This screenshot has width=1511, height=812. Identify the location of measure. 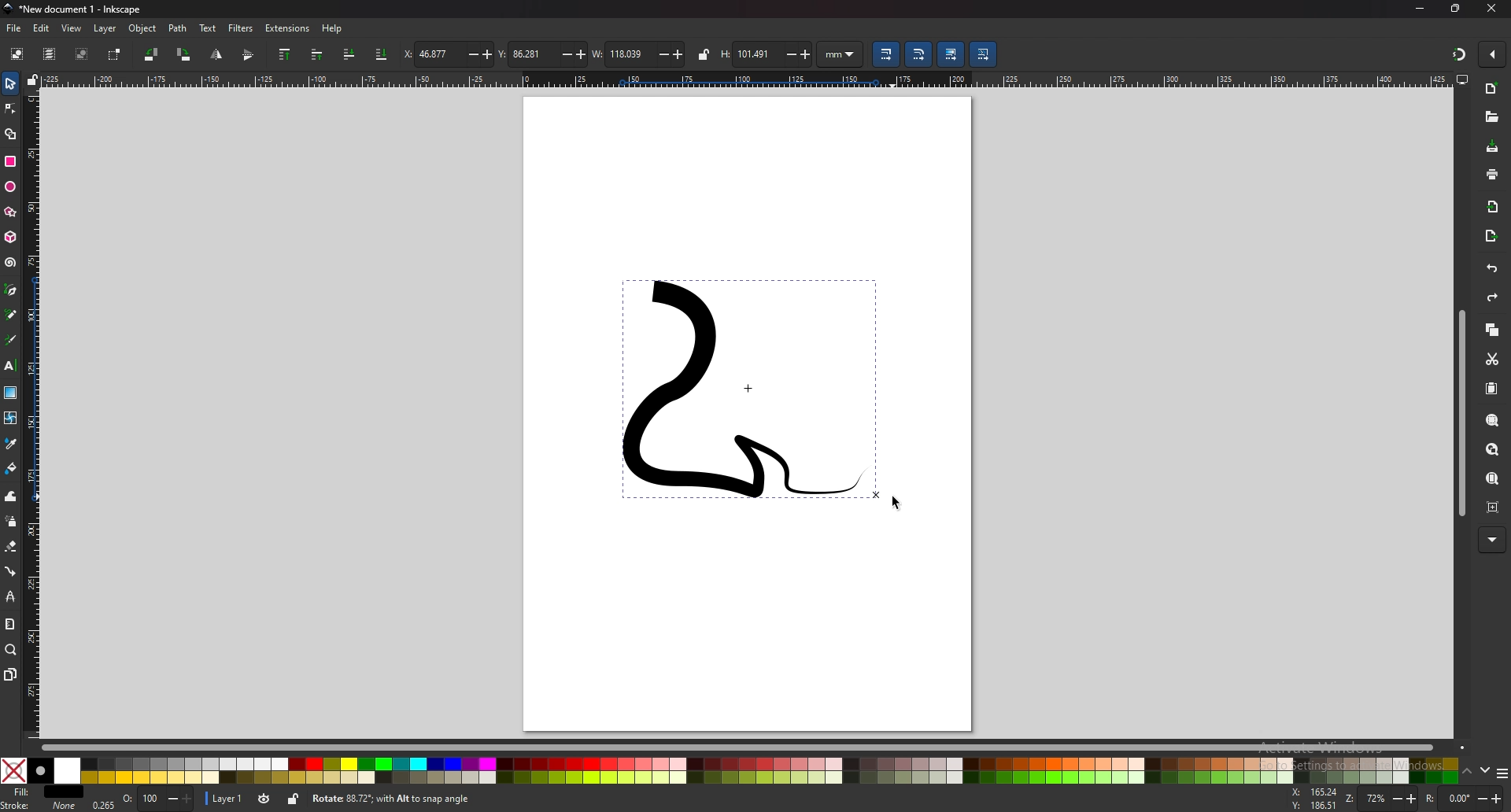
(9, 622).